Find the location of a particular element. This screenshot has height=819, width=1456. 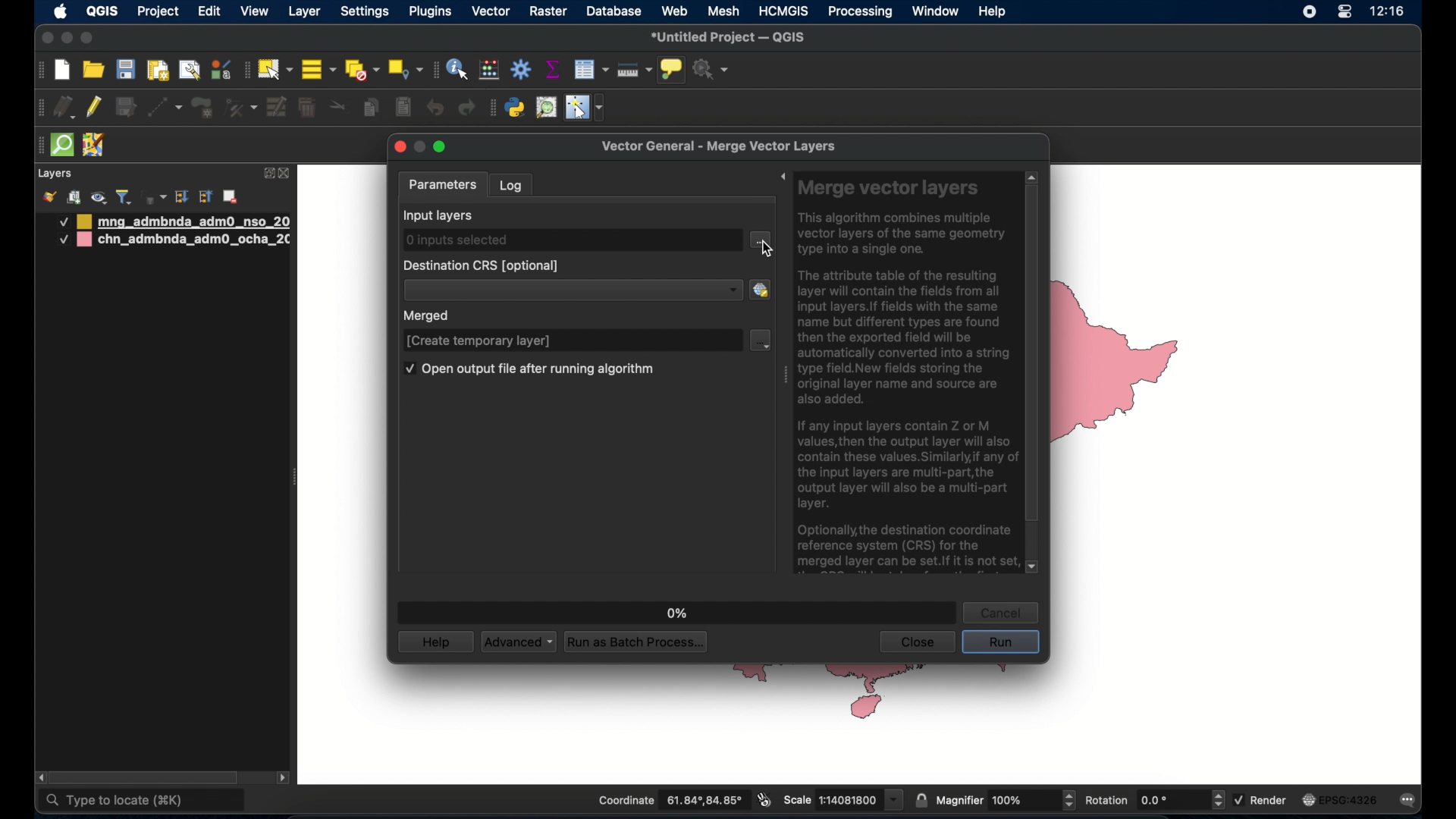

manage map theme is located at coordinates (98, 198).